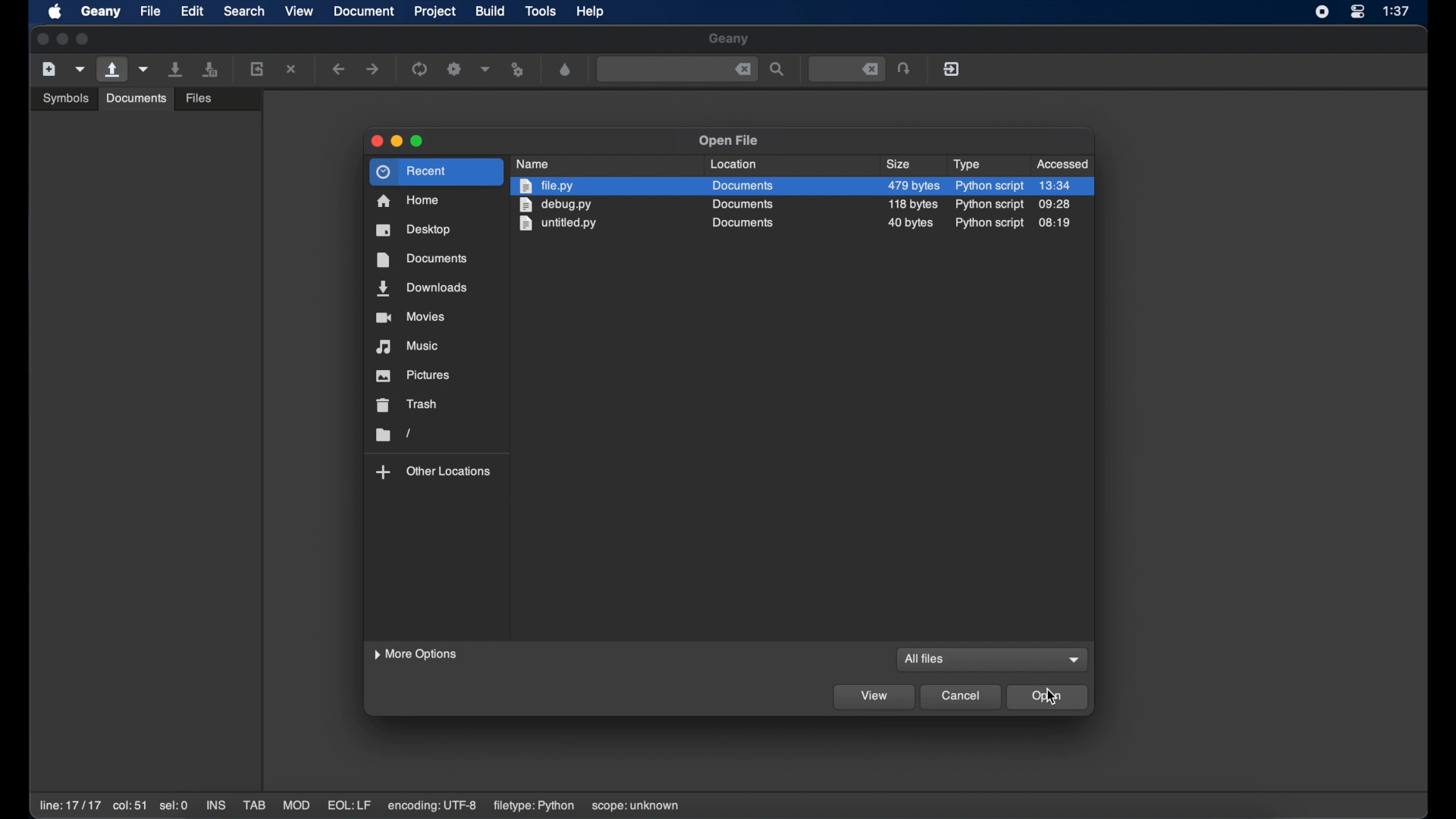 The height and width of the screenshot is (819, 1456). I want to click on quit geany, so click(951, 68).